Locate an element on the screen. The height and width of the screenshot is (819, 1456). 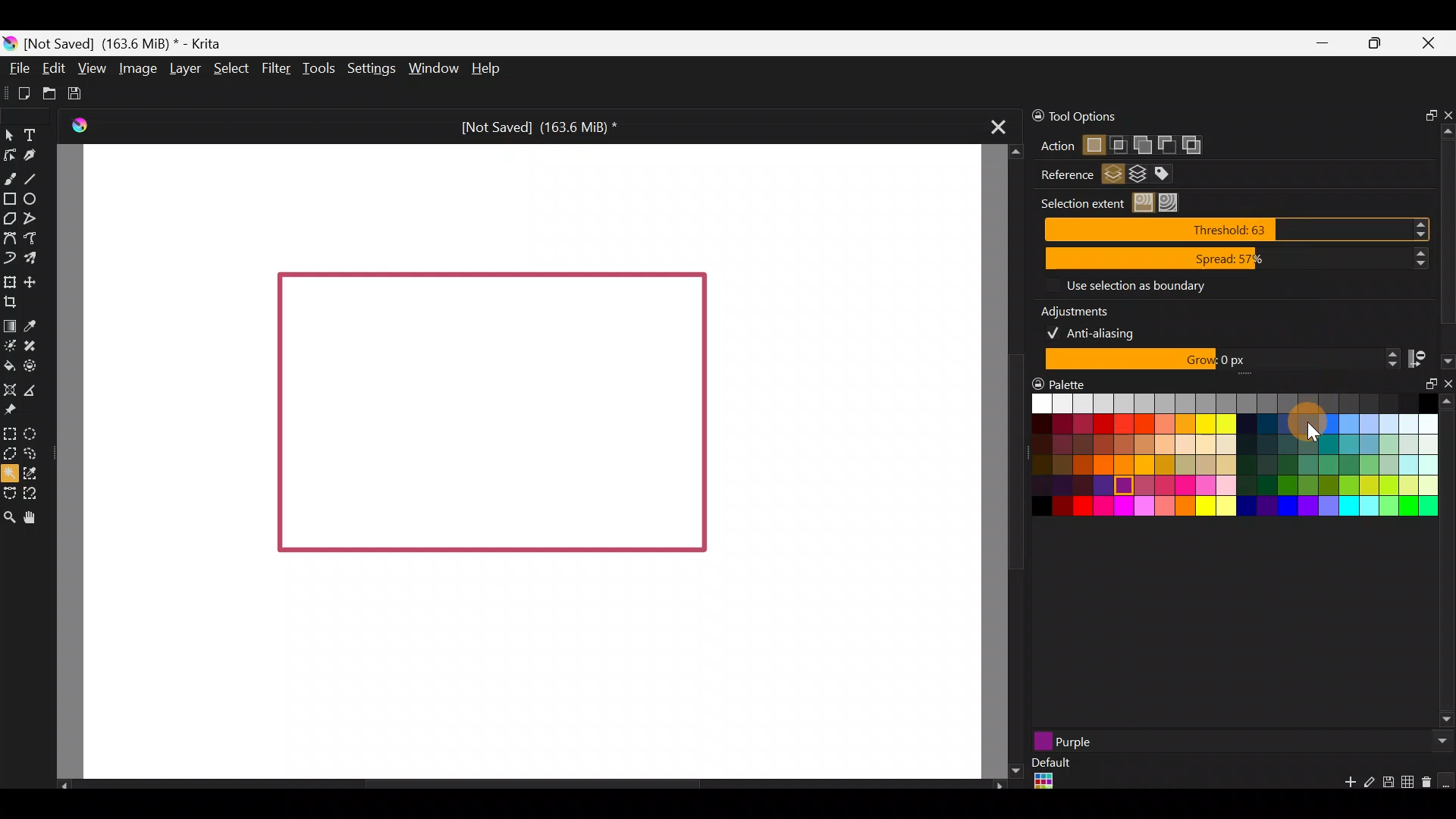
Move a layer is located at coordinates (36, 281).